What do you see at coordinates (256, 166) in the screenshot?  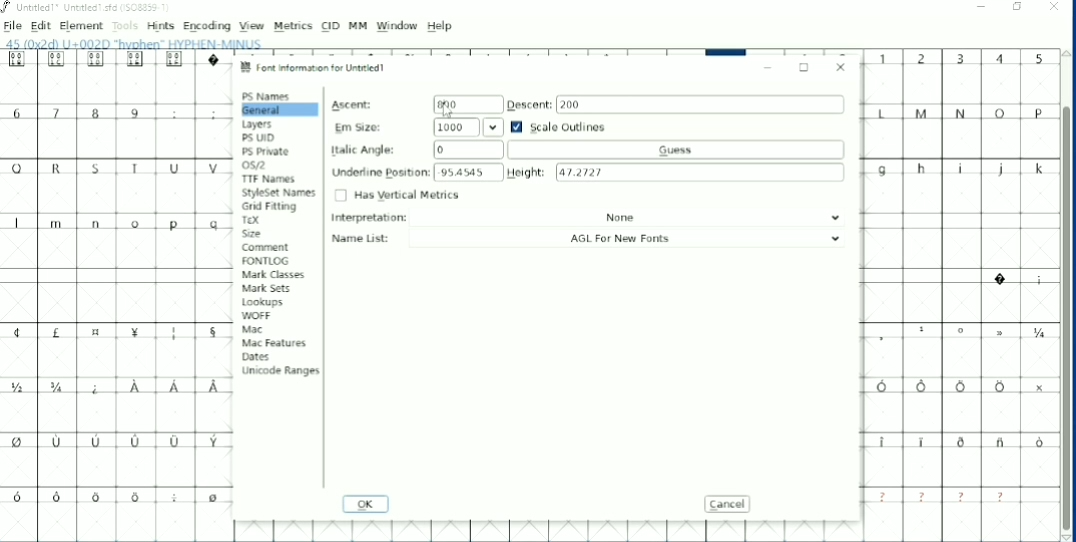 I see `OS/2` at bounding box center [256, 166].